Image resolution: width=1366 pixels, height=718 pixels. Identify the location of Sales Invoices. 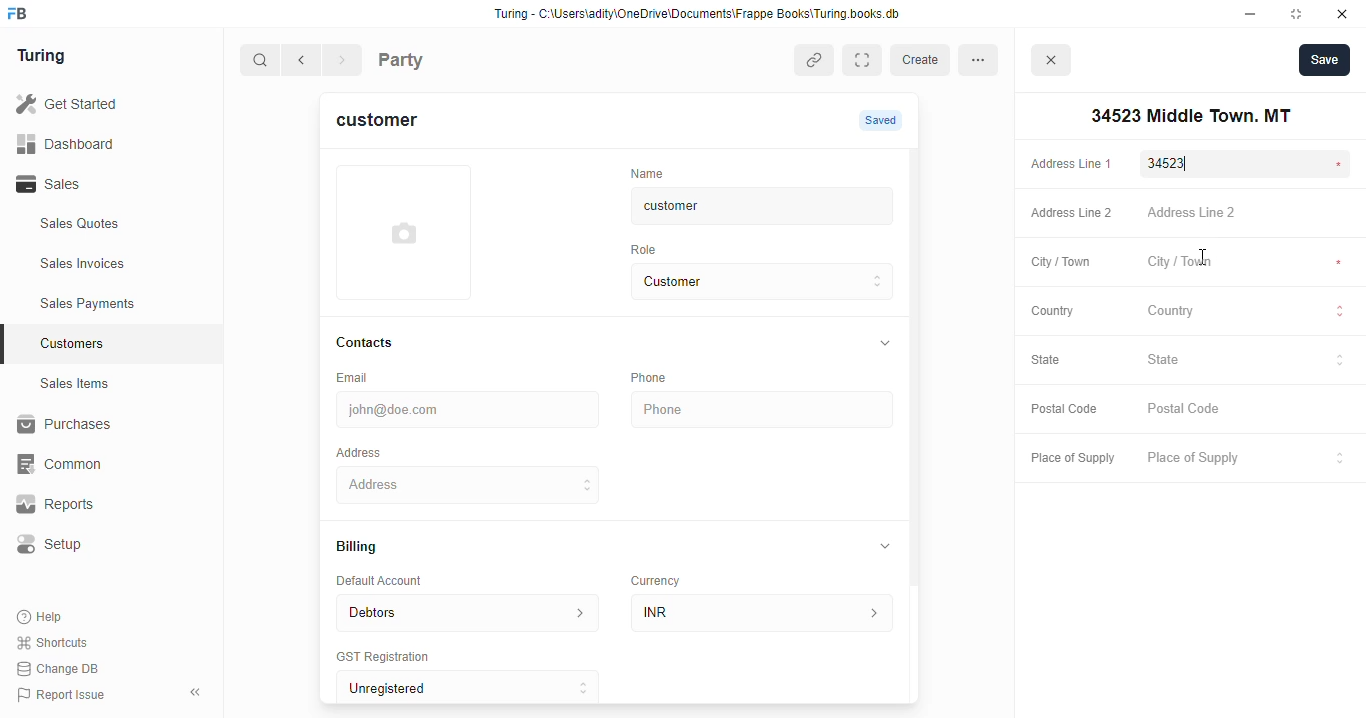
(117, 264).